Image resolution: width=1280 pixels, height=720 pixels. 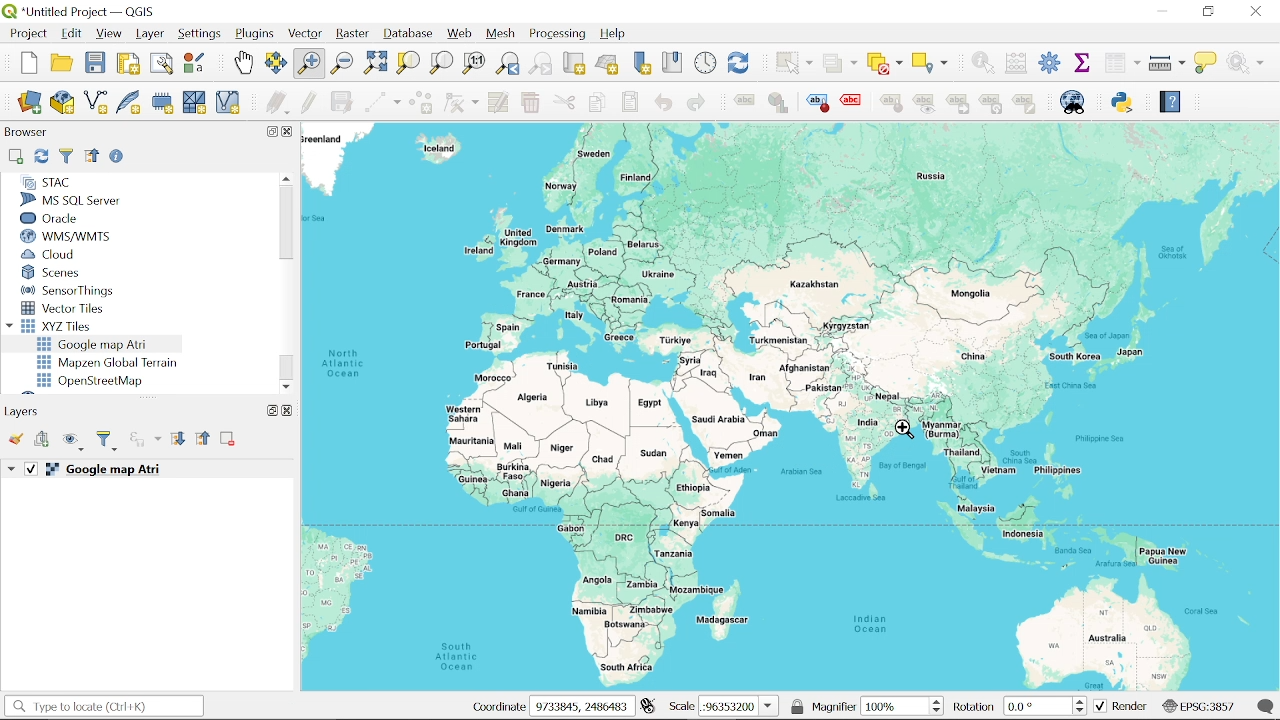 What do you see at coordinates (289, 132) in the screenshot?
I see `Close Browser` at bounding box center [289, 132].